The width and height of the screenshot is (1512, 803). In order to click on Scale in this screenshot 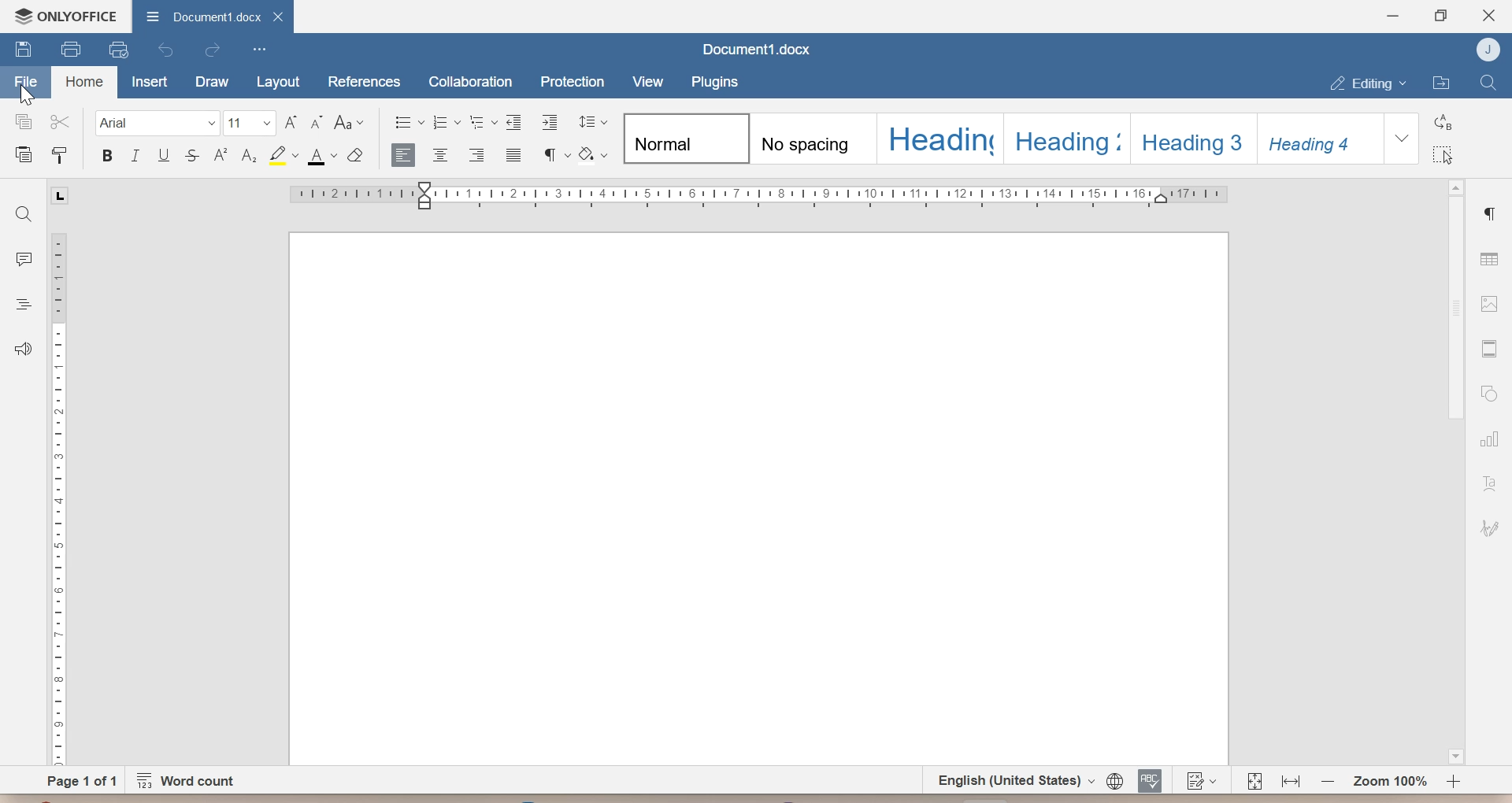, I will do `click(758, 195)`.